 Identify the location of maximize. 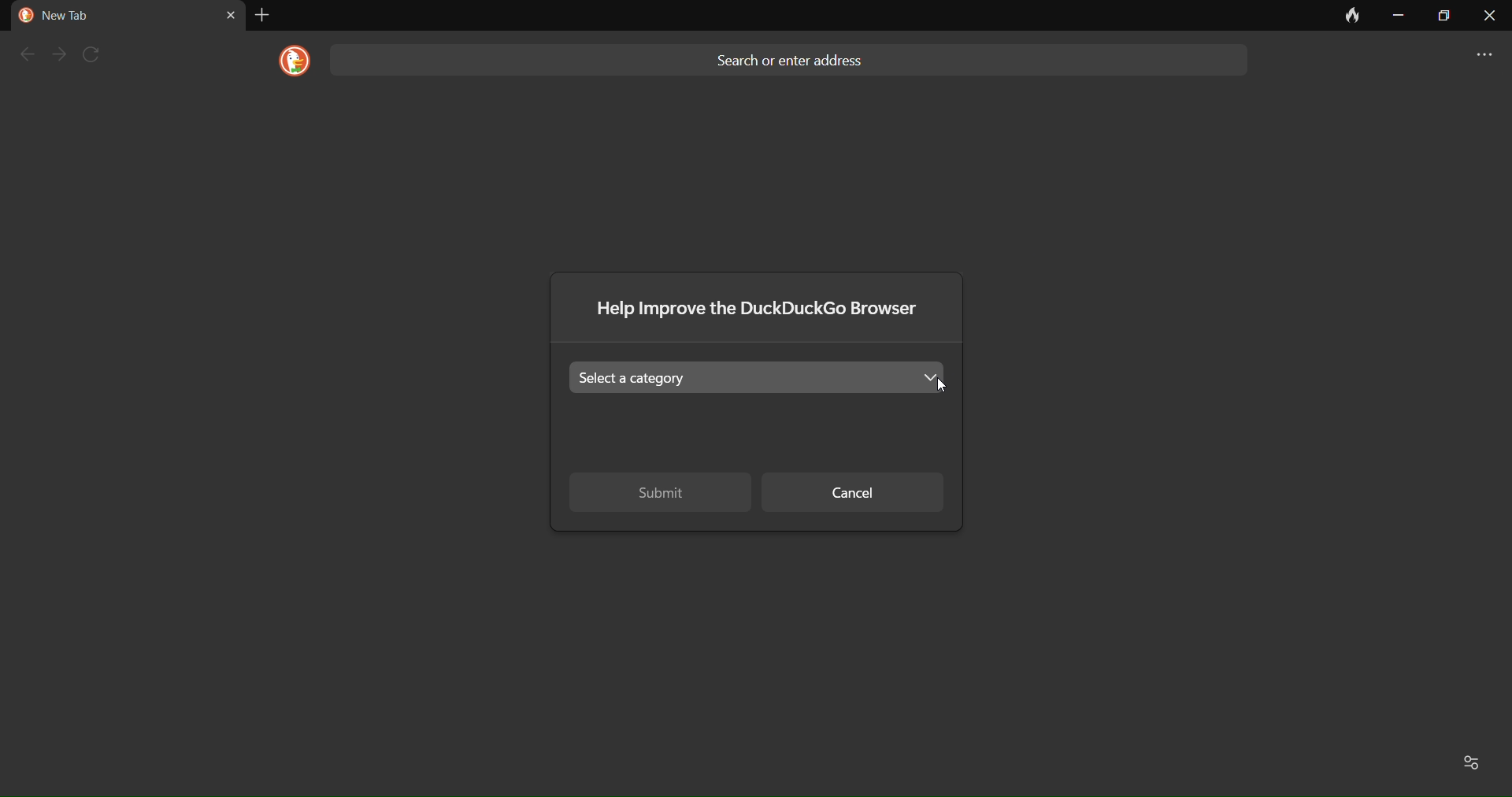
(1441, 16).